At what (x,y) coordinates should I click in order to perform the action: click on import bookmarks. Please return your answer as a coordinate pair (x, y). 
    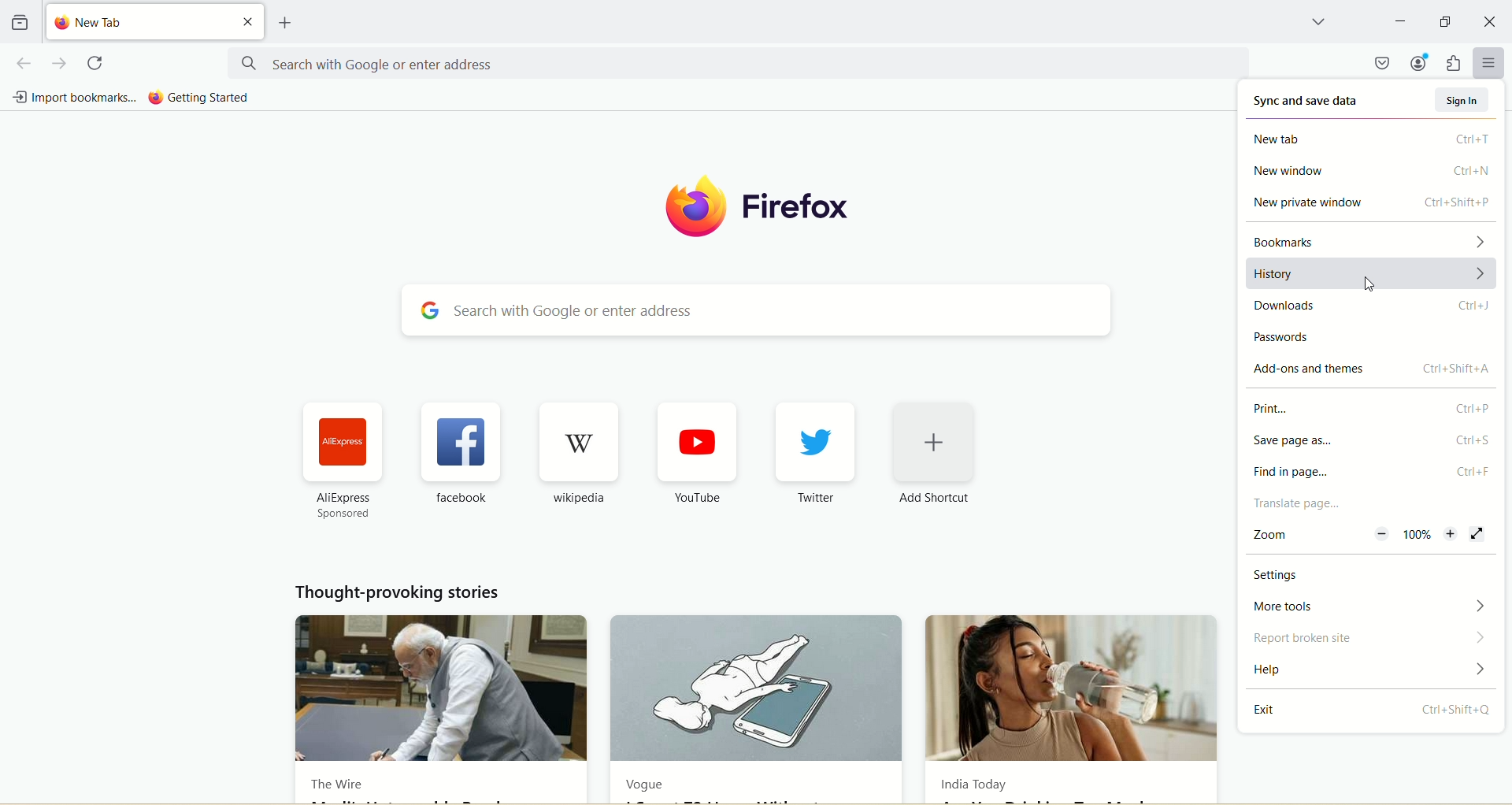
    Looking at the image, I should click on (75, 98).